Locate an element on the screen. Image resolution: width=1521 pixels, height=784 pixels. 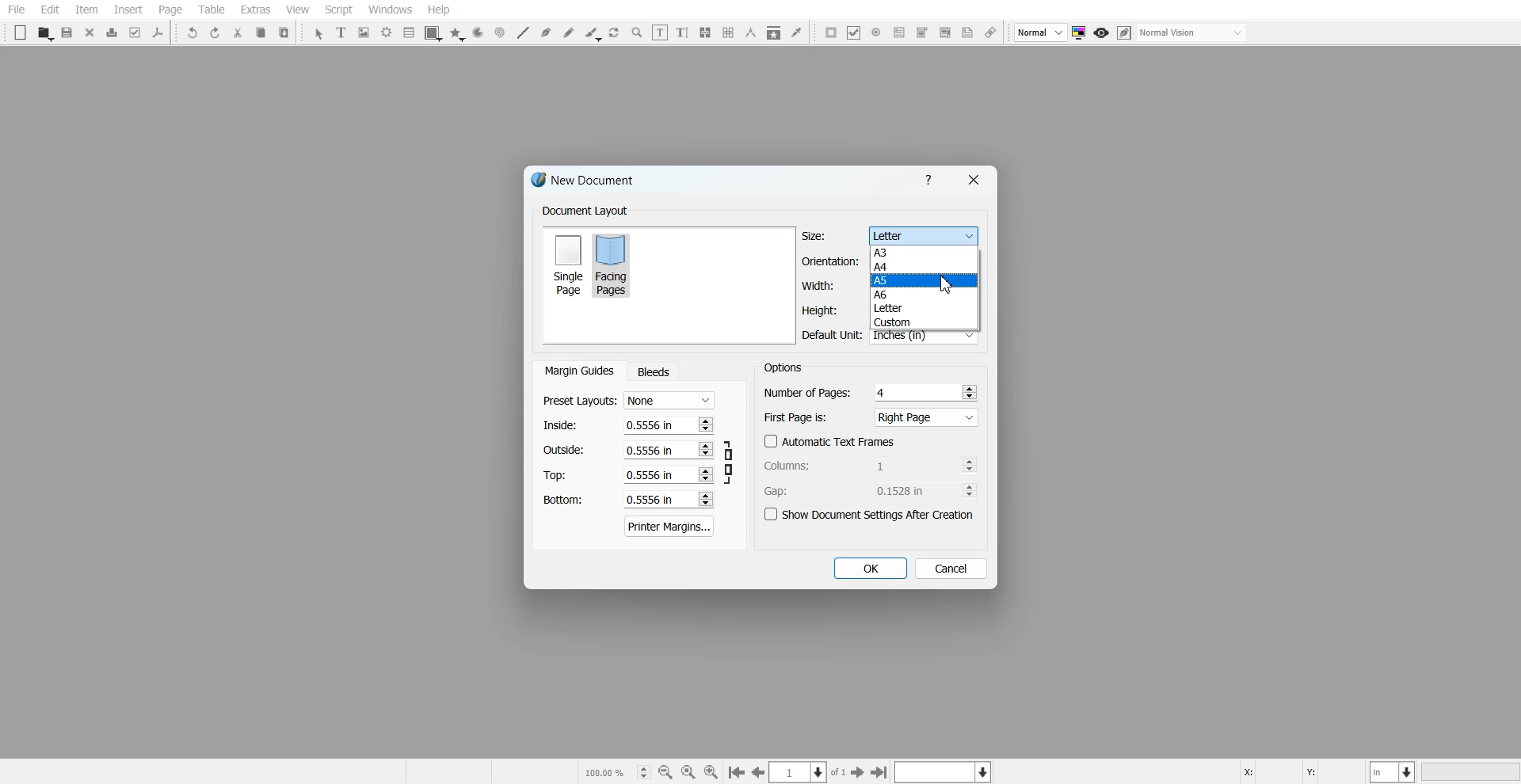
Text is located at coordinates (783, 367).